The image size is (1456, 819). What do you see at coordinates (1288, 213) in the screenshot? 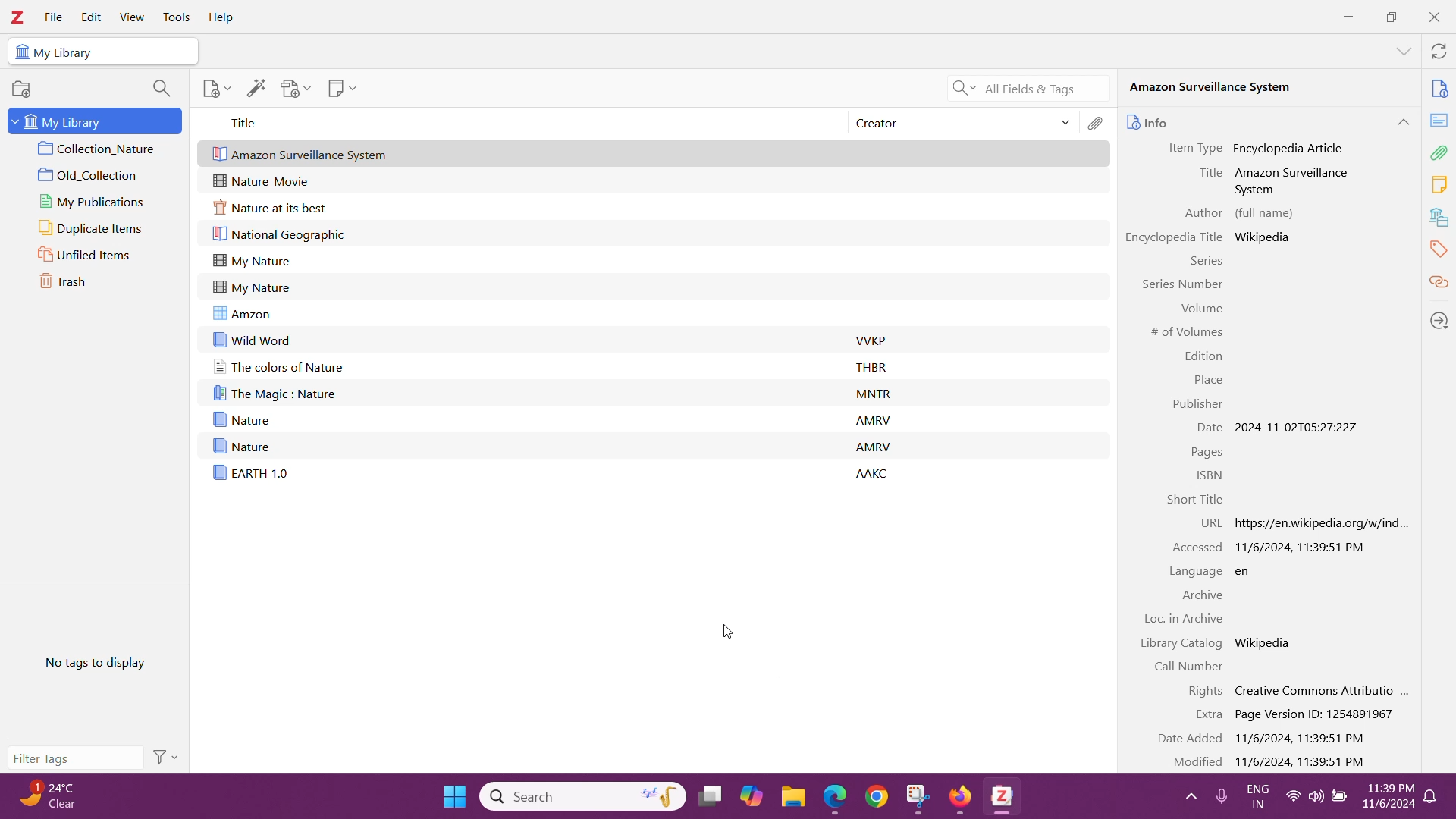
I see `Author full name` at bounding box center [1288, 213].